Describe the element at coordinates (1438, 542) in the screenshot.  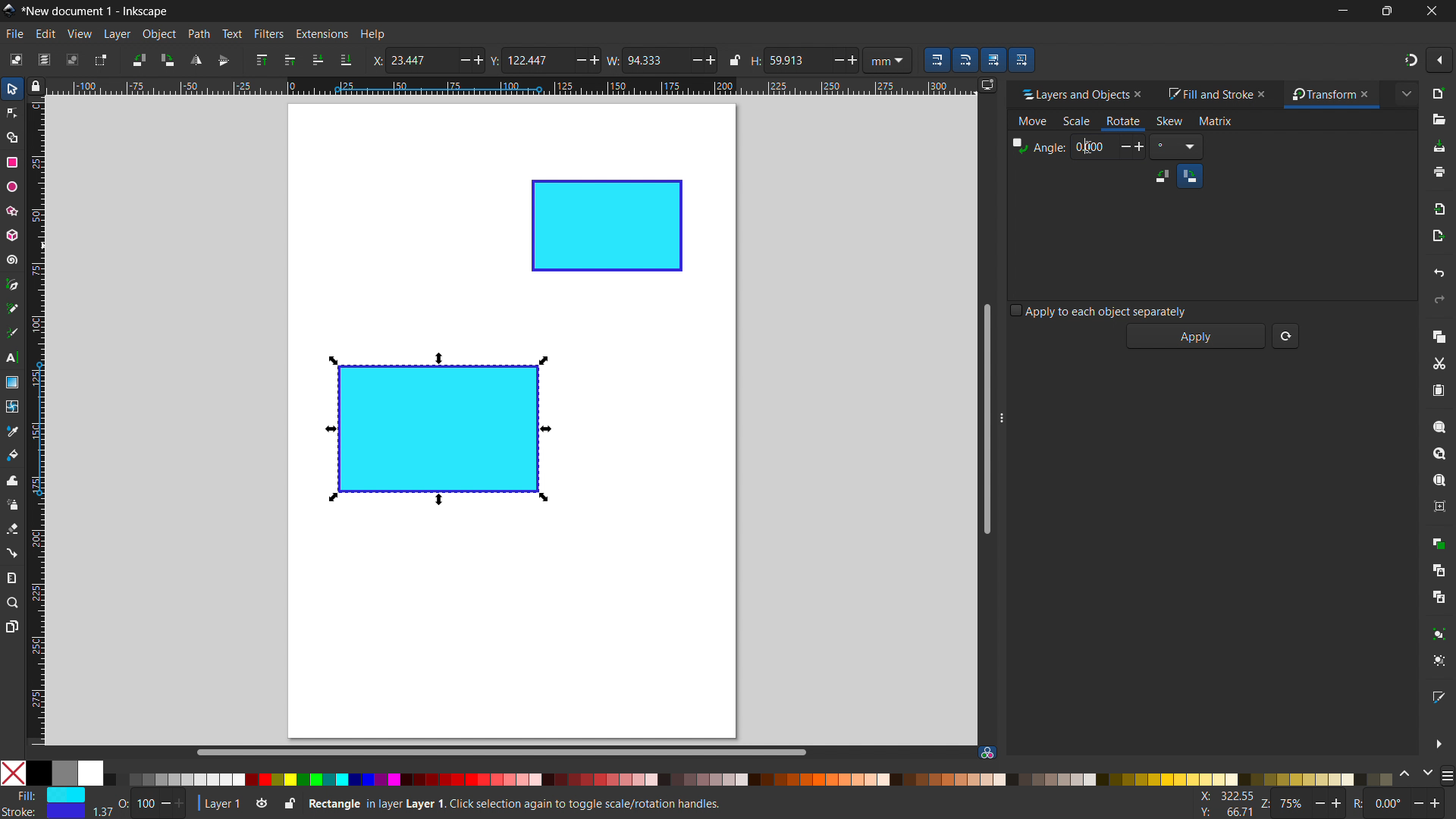
I see `duplicate` at that location.